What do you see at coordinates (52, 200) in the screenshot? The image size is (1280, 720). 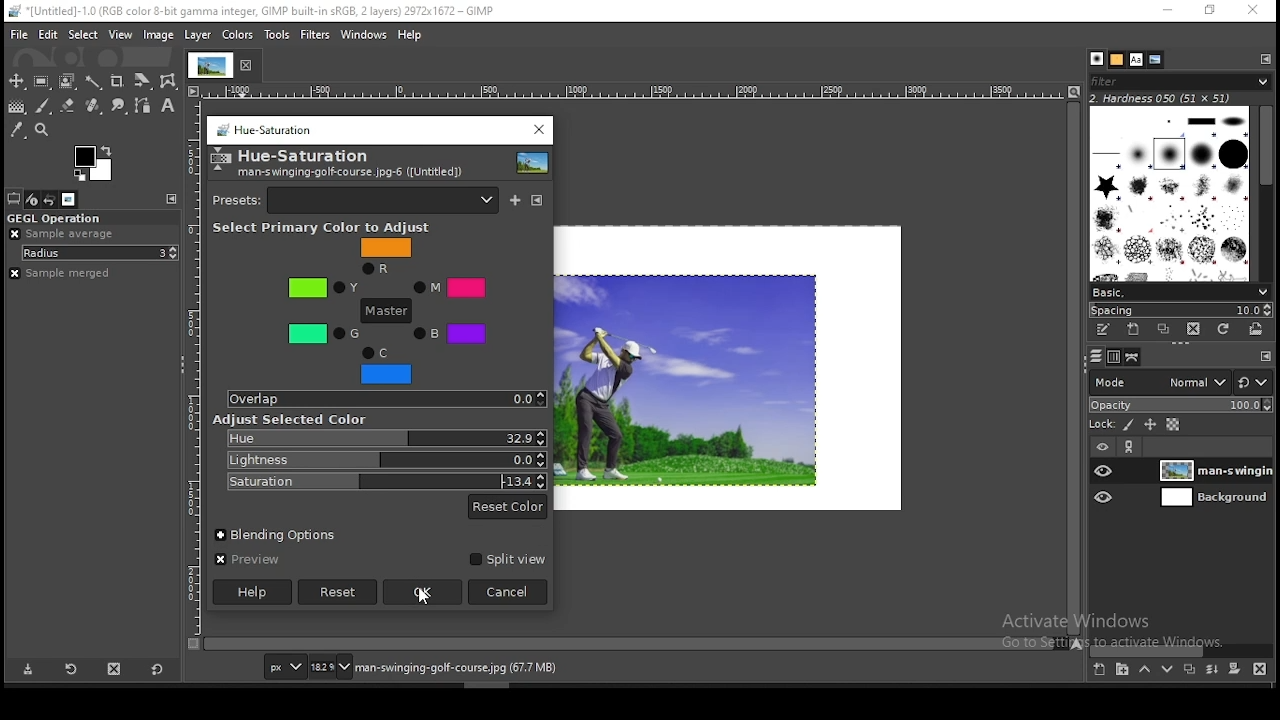 I see `undo history` at bounding box center [52, 200].